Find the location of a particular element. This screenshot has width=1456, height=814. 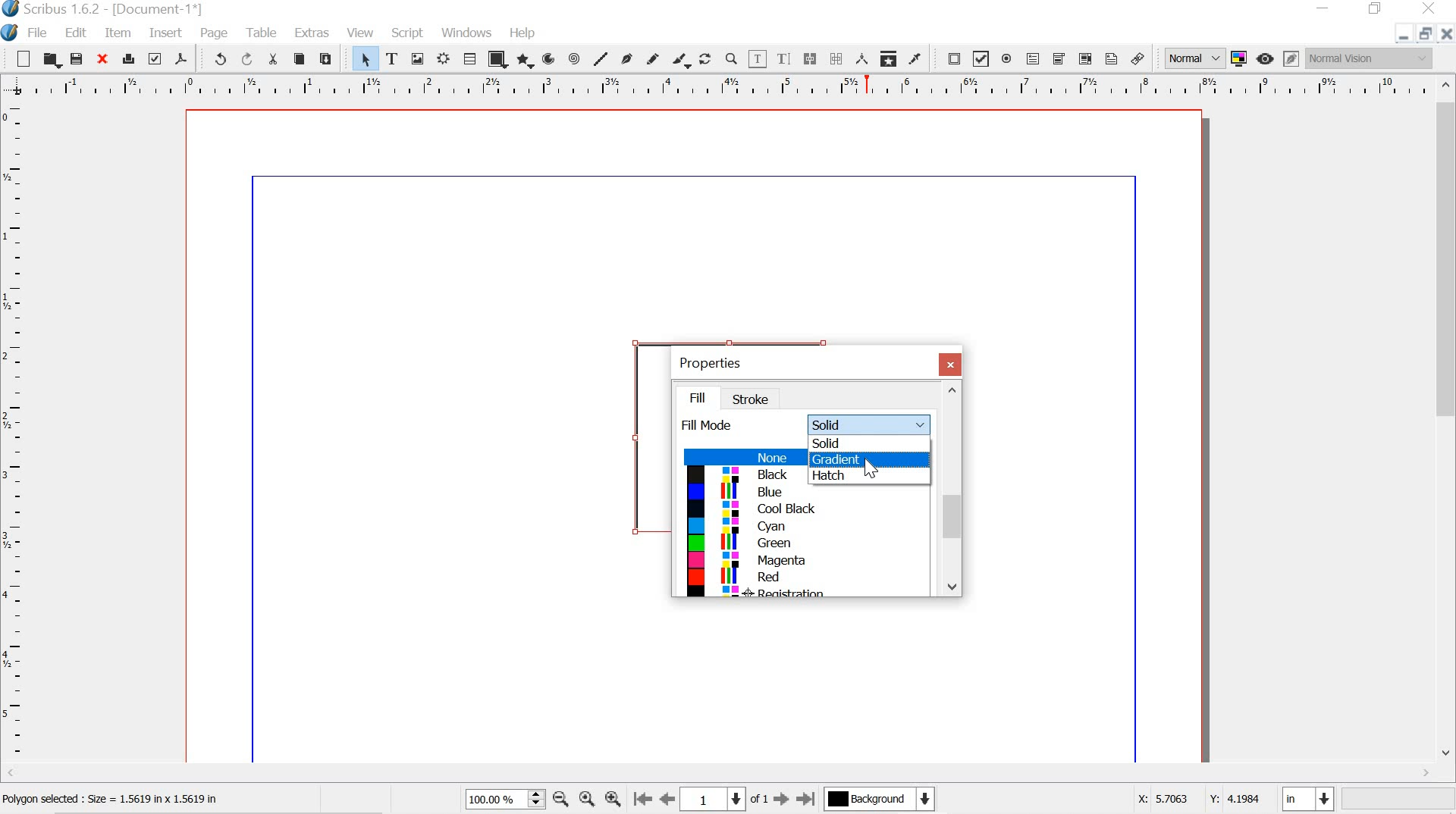

black is located at coordinates (737, 475).